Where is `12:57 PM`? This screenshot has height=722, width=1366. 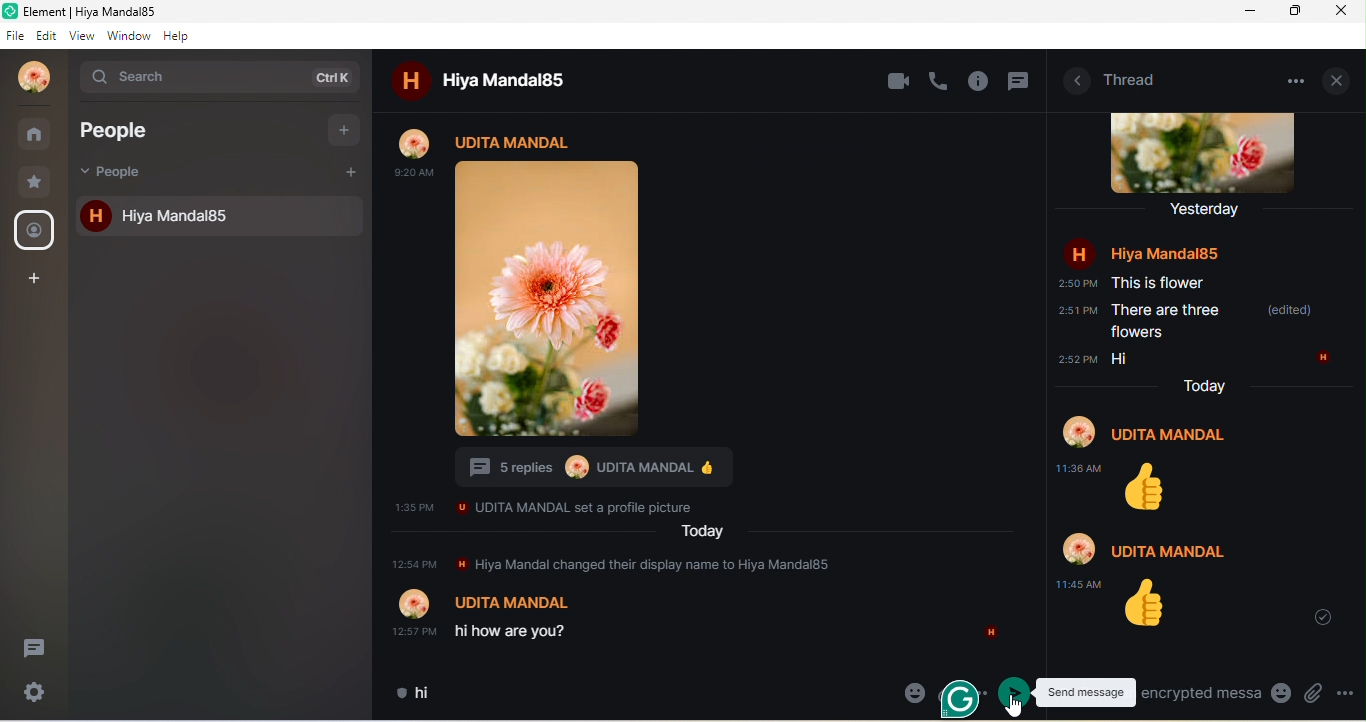 12:57 PM is located at coordinates (413, 564).